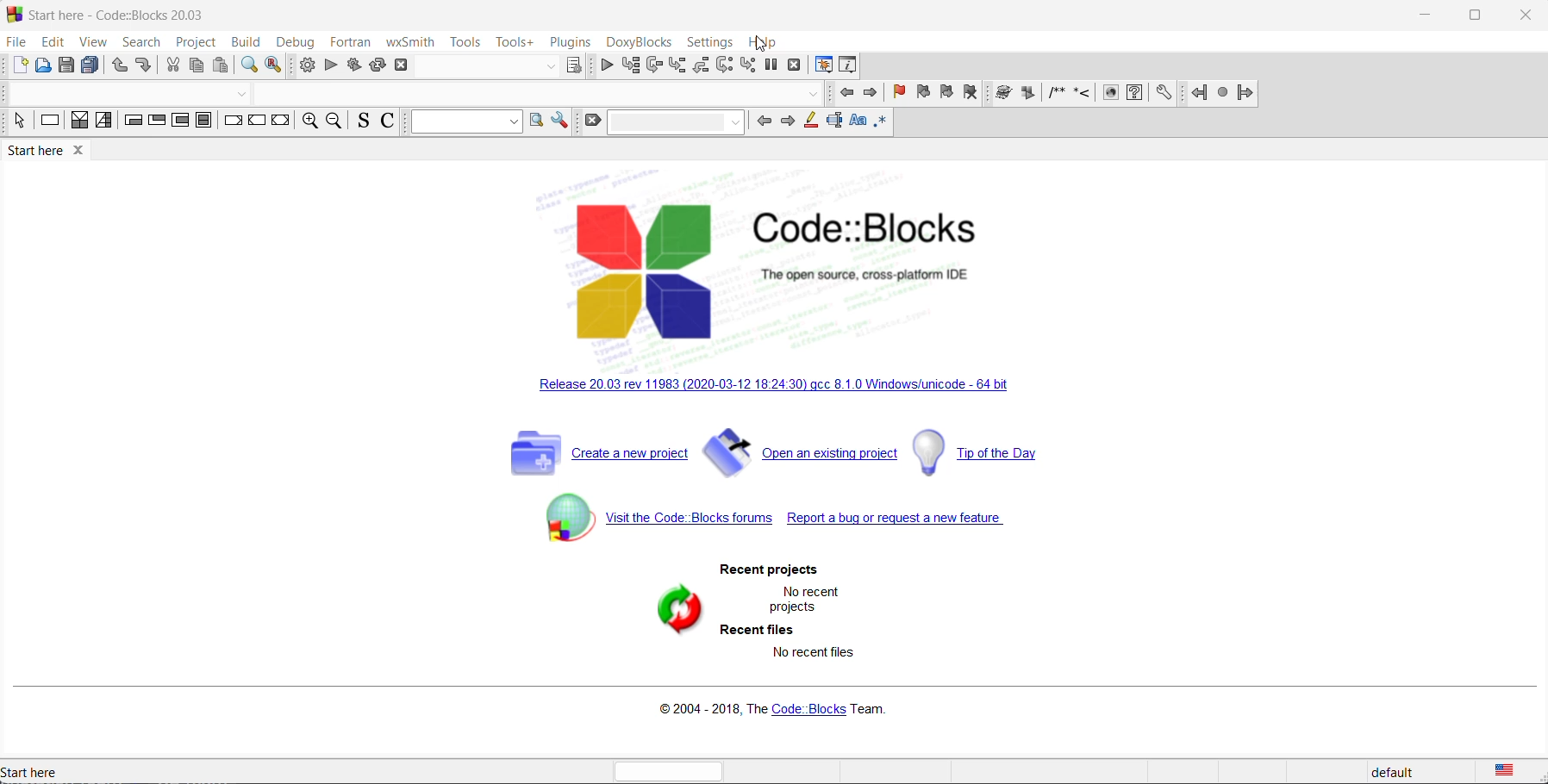 The image size is (1548, 784). What do you see at coordinates (103, 124) in the screenshot?
I see `selection ` at bounding box center [103, 124].